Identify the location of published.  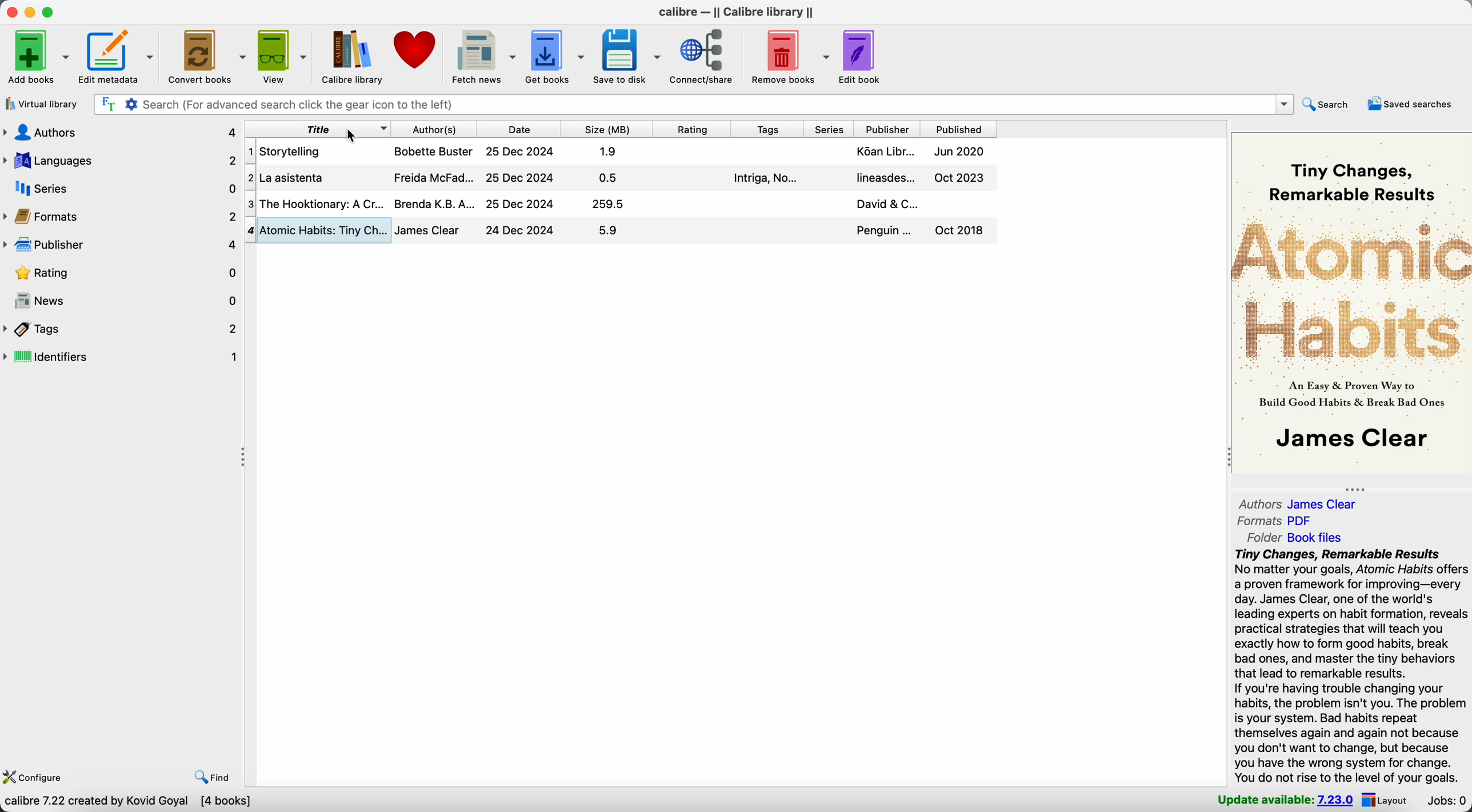
(959, 128).